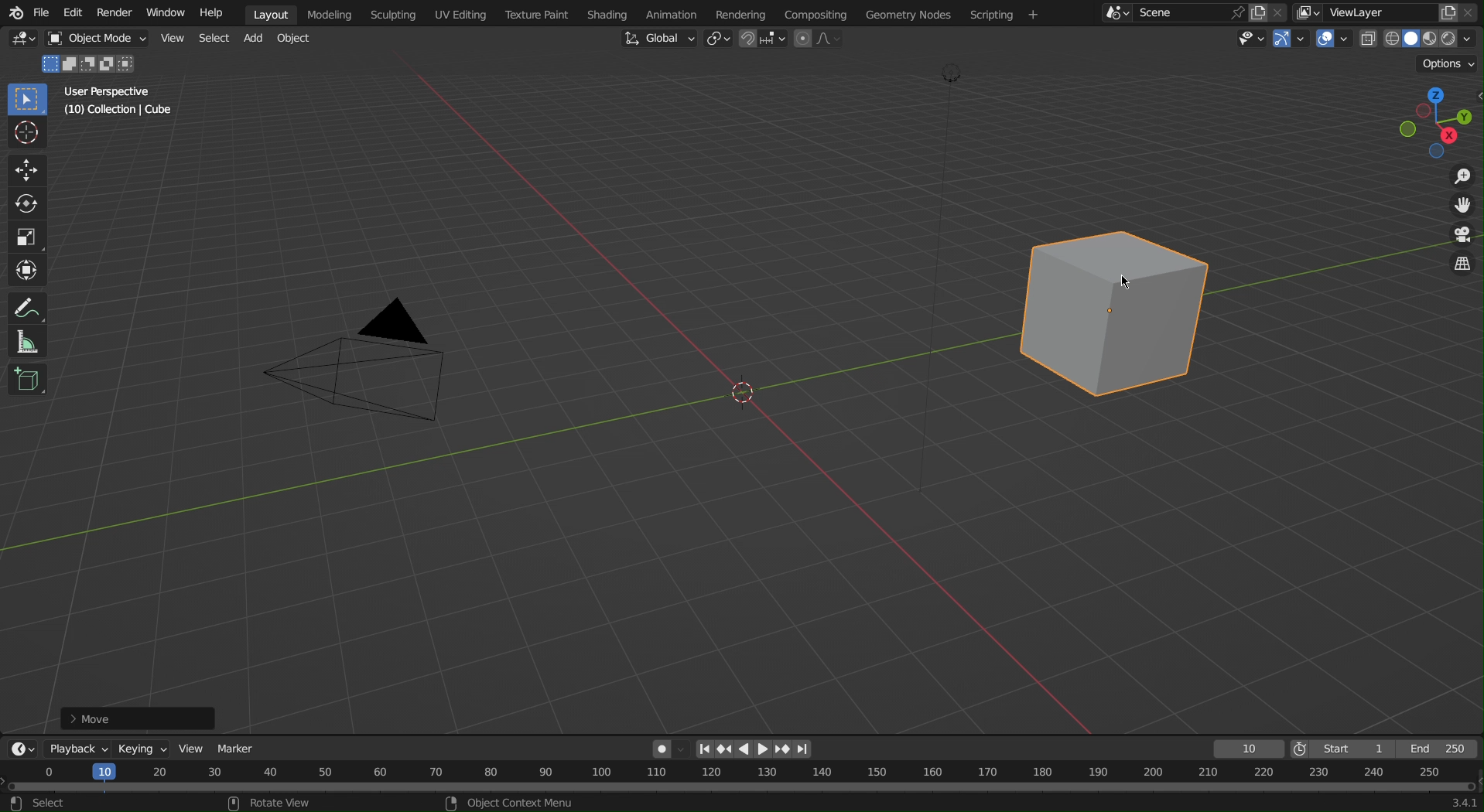  I want to click on Texture Paint, so click(539, 12).